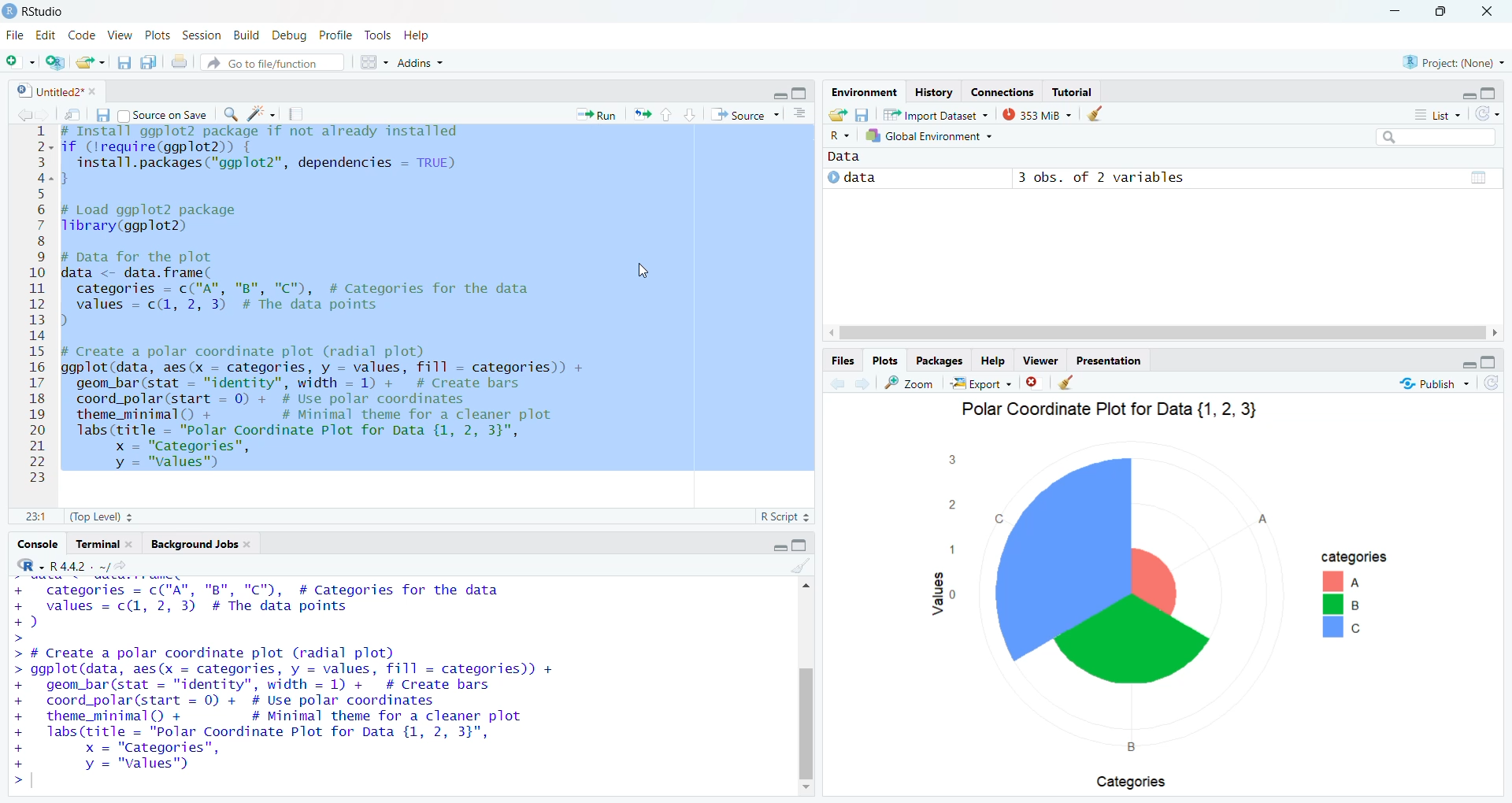 This screenshot has height=803, width=1512. I want to click on go back to the next source location, so click(46, 114).